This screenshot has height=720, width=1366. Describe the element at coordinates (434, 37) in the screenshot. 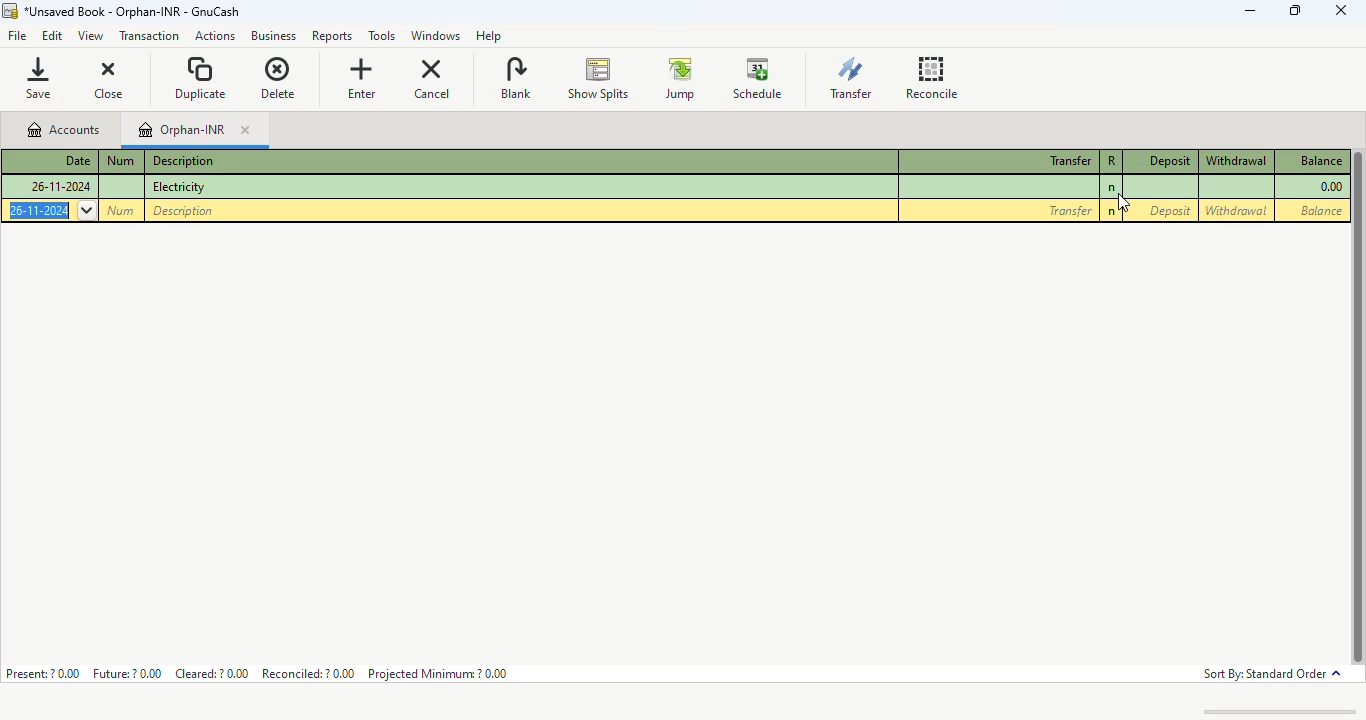

I see `windows` at that location.